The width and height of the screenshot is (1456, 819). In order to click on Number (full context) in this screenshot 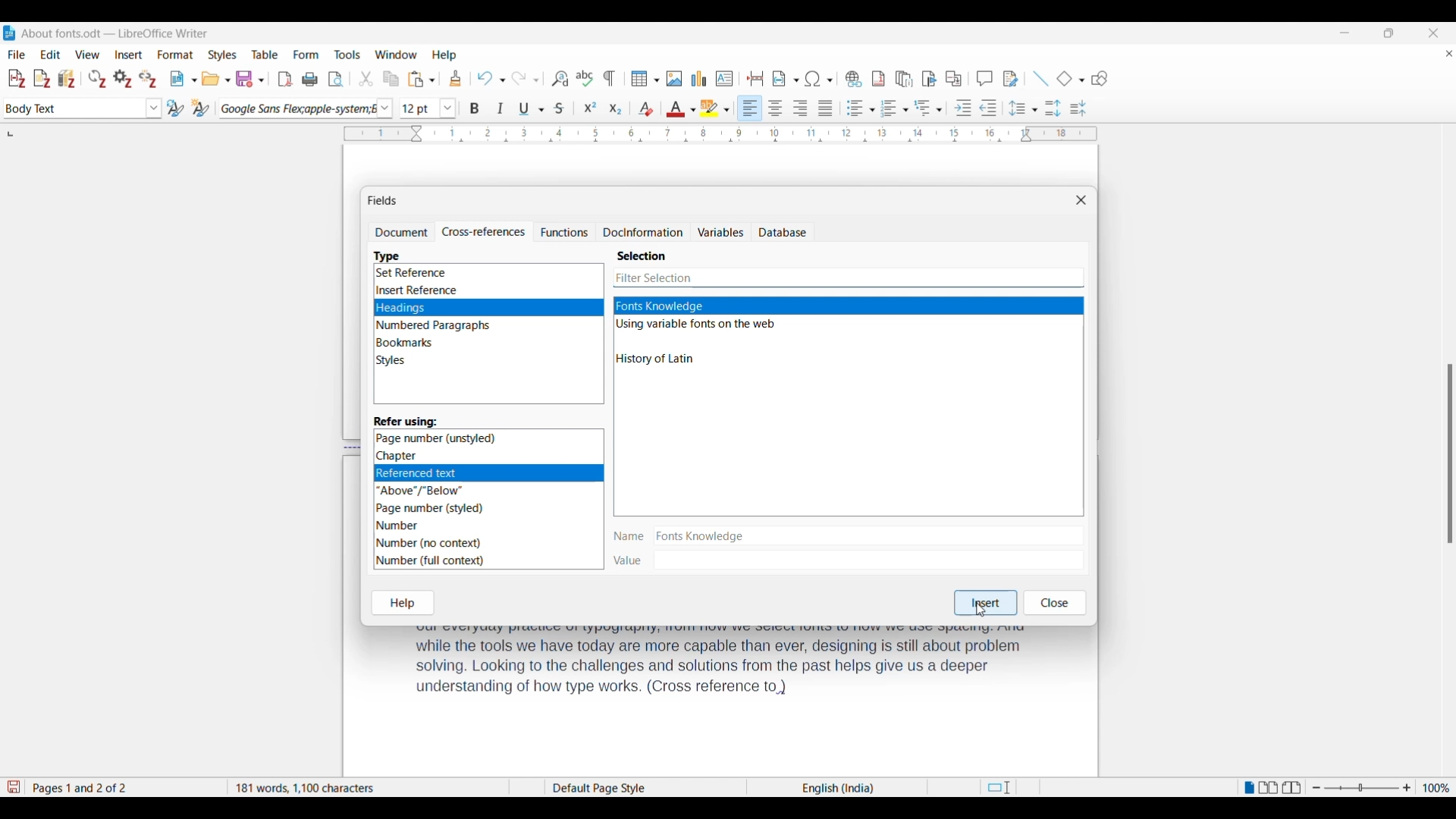, I will do `click(434, 562)`.